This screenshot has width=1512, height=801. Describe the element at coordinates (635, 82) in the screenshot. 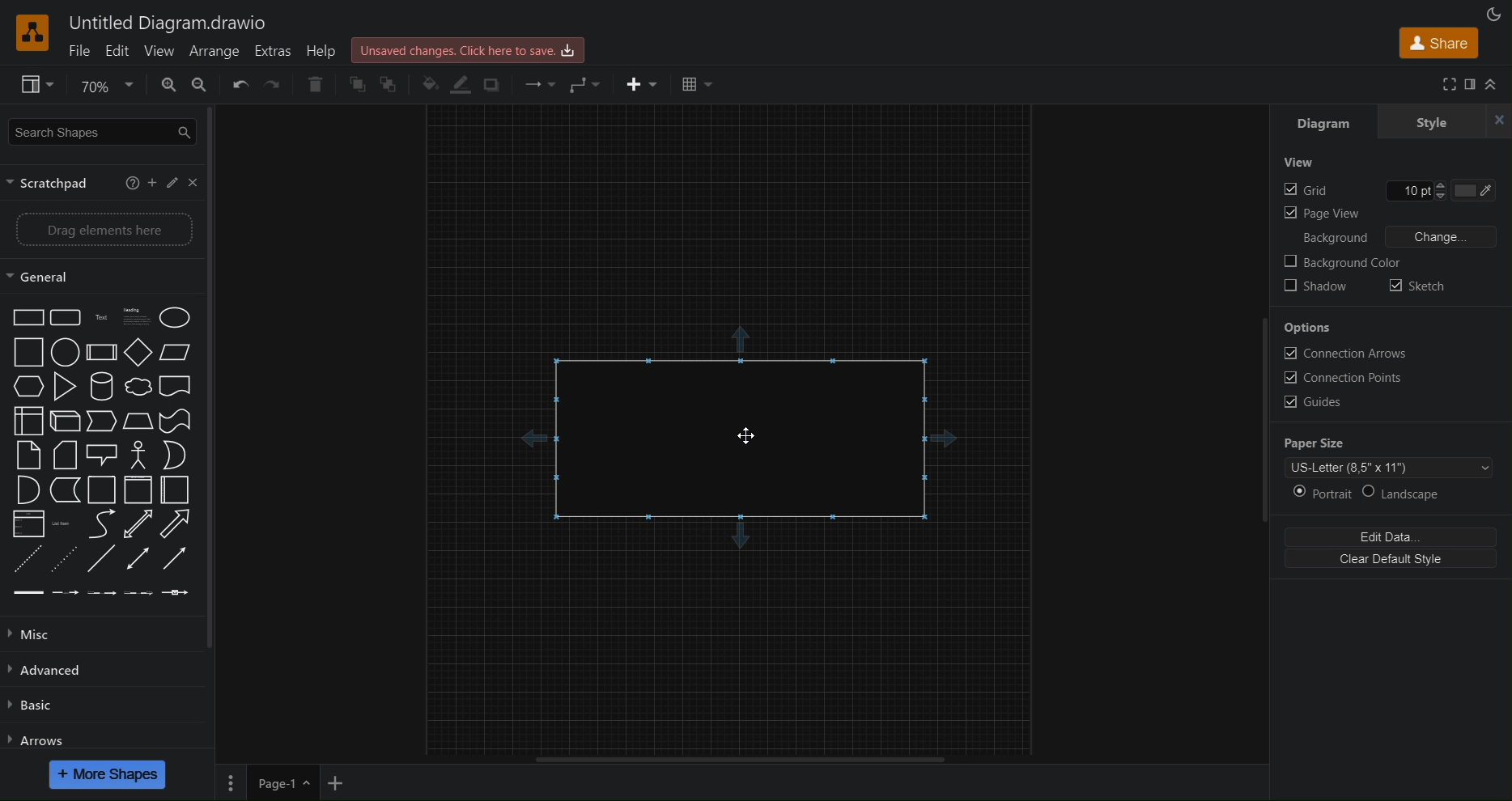

I see `Insert` at that location.